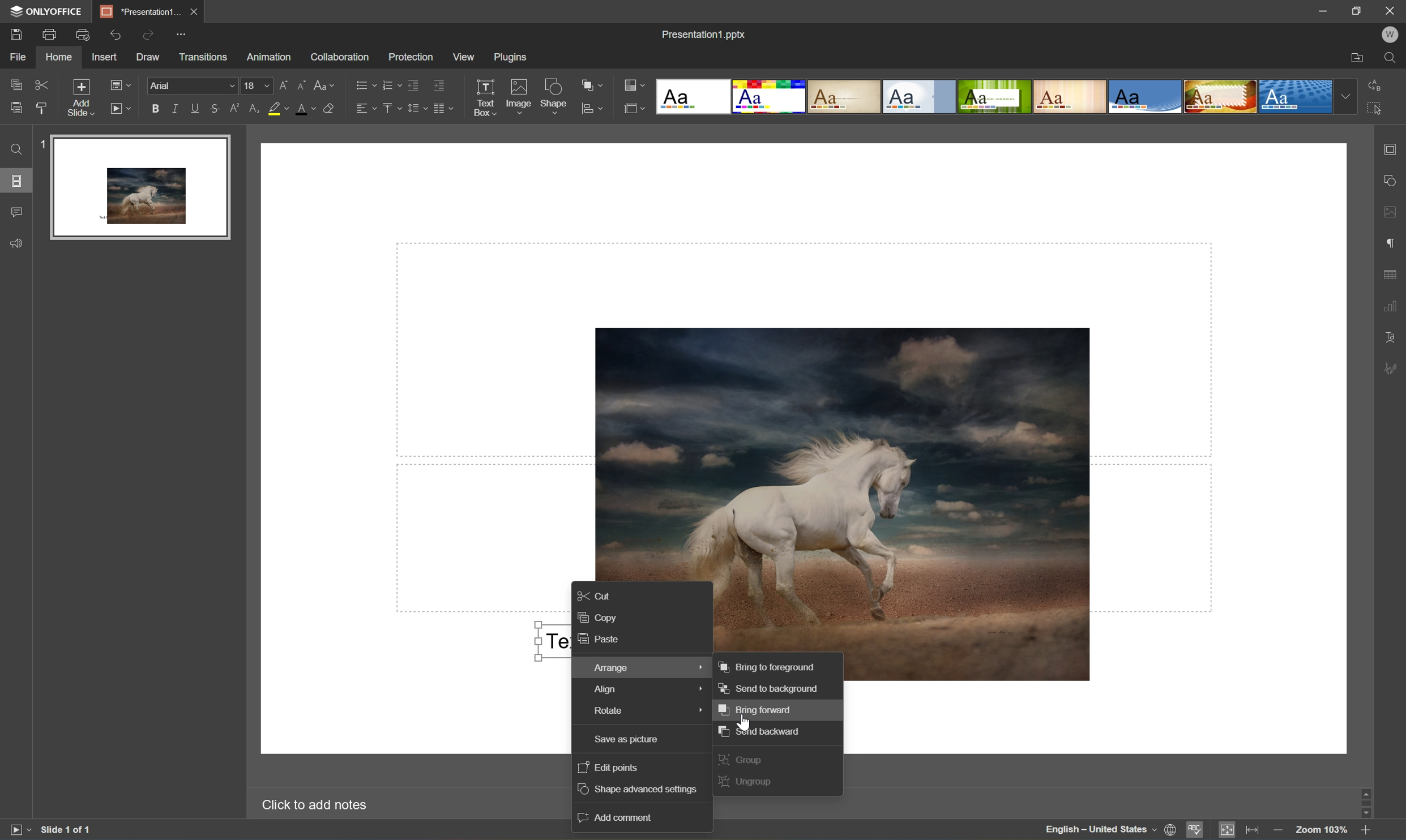  Describe the element at coordinates (599, 616) in the screenshot. I see `Copy` at that location.